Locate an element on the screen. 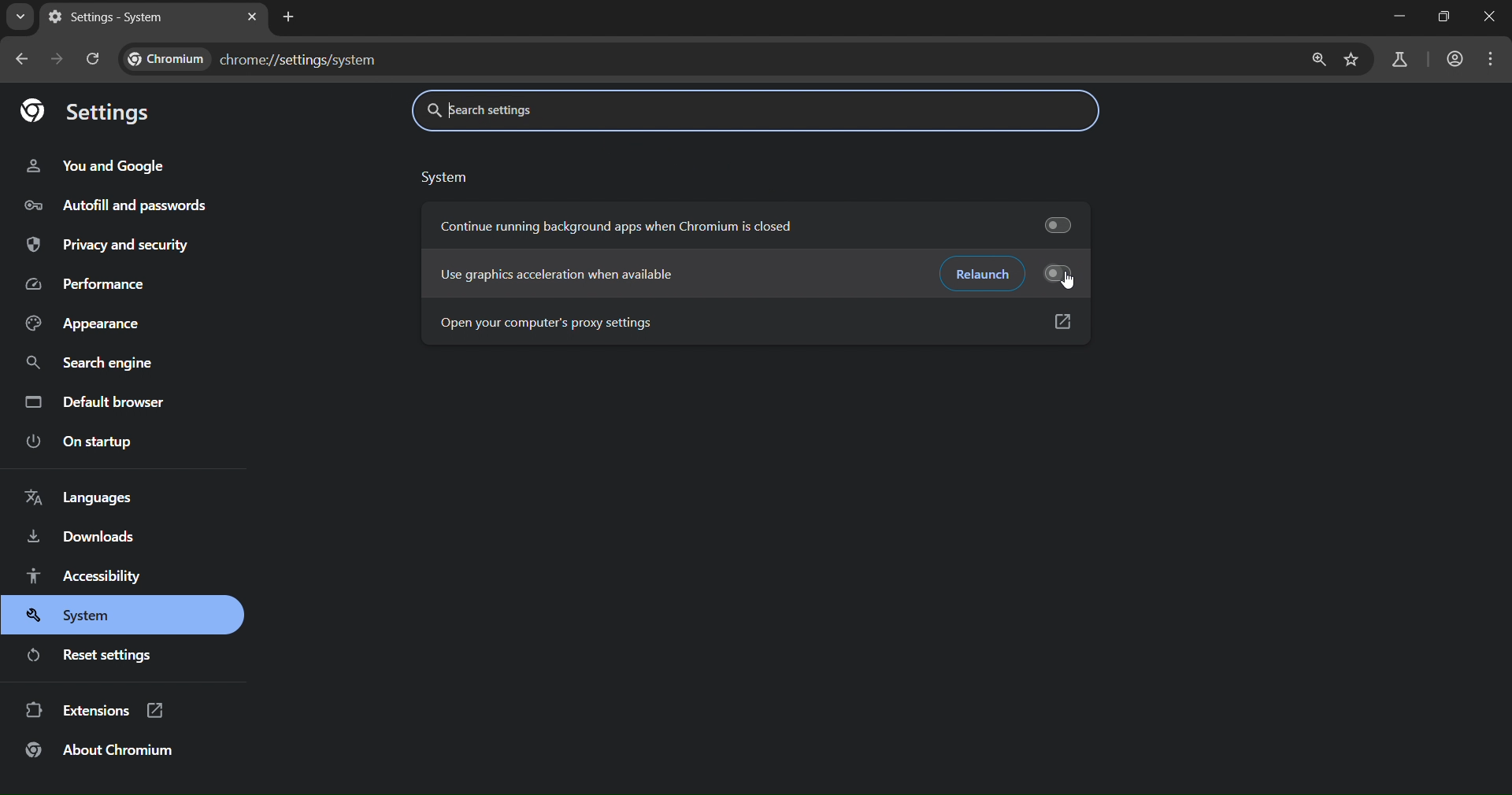 The width and height of the screenshot is (1512, 795). use acceleration when available is located at coordinates (569, 272).